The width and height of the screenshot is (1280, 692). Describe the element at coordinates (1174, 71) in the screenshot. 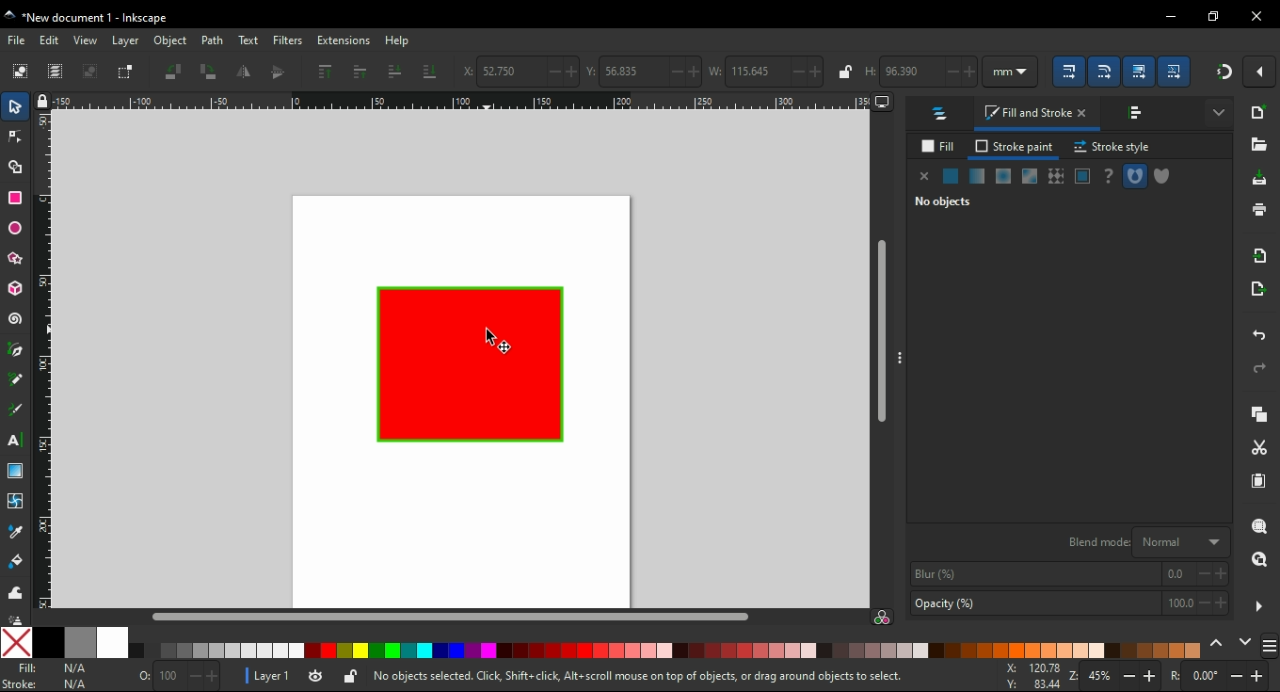

I see `scaling options` at that location.